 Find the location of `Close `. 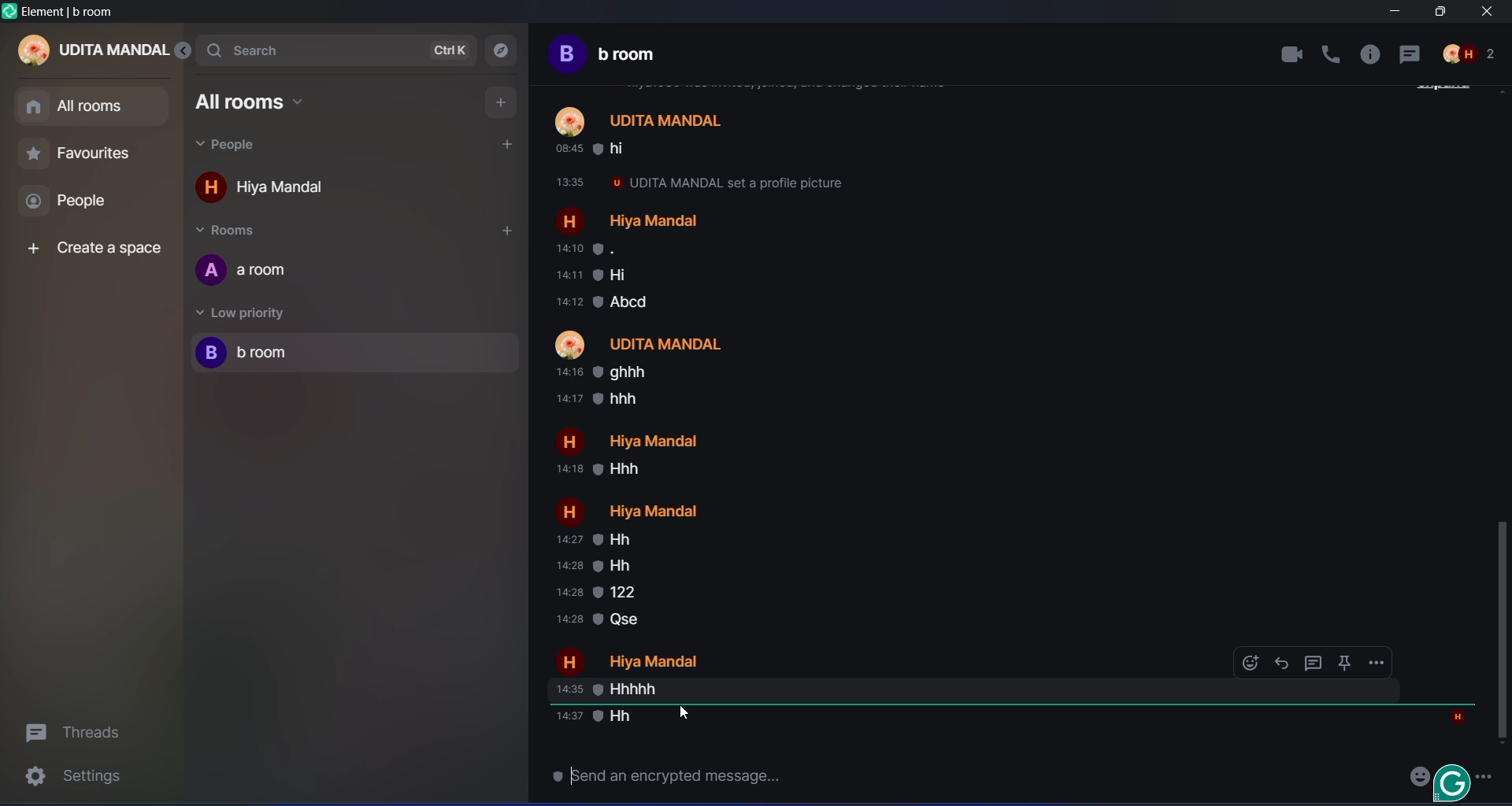

Close  is located at coordinates (1492, 13).